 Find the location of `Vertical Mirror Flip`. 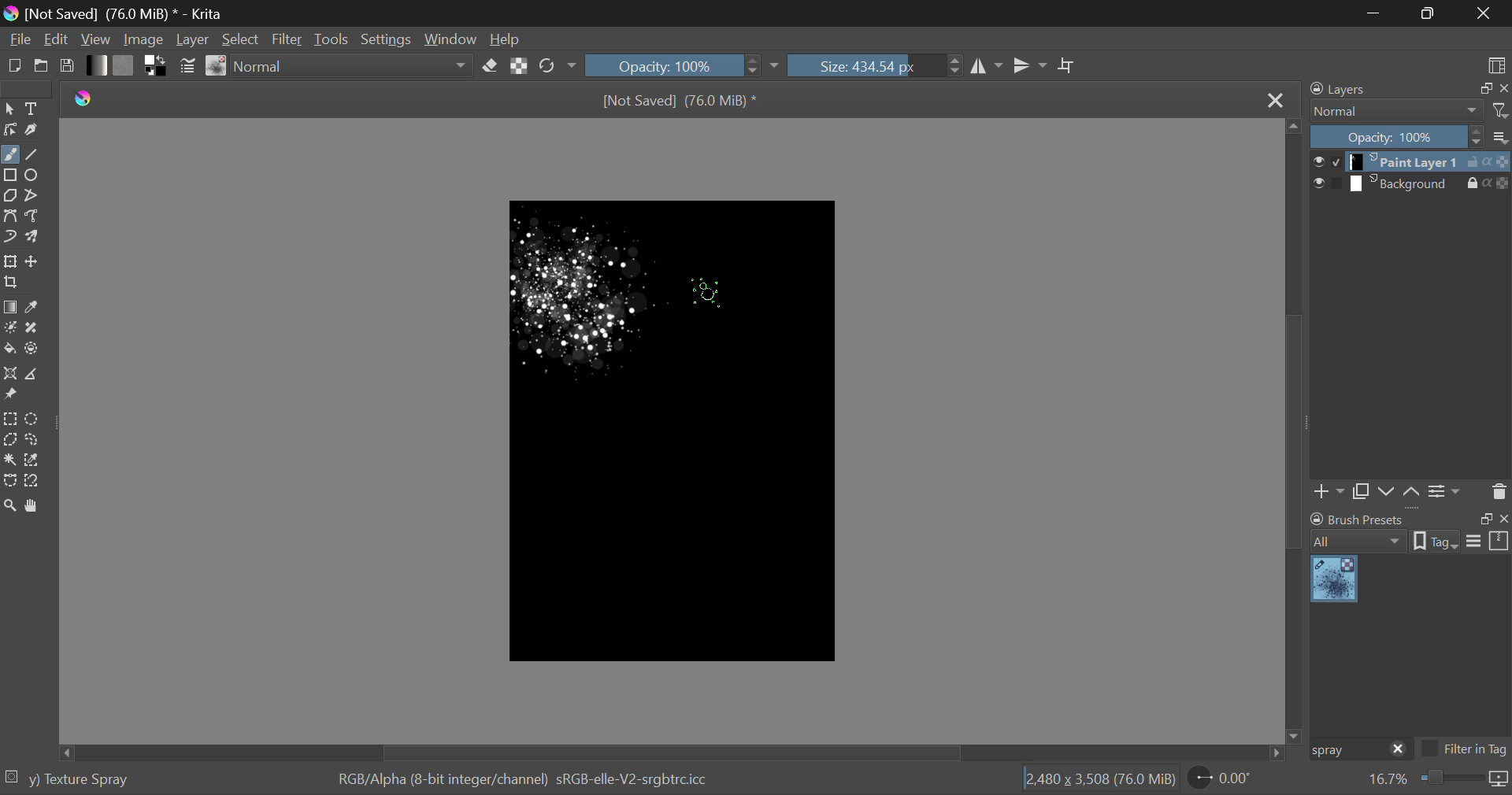

Vertical Mirror Flip is located at coordinates (984, 66).